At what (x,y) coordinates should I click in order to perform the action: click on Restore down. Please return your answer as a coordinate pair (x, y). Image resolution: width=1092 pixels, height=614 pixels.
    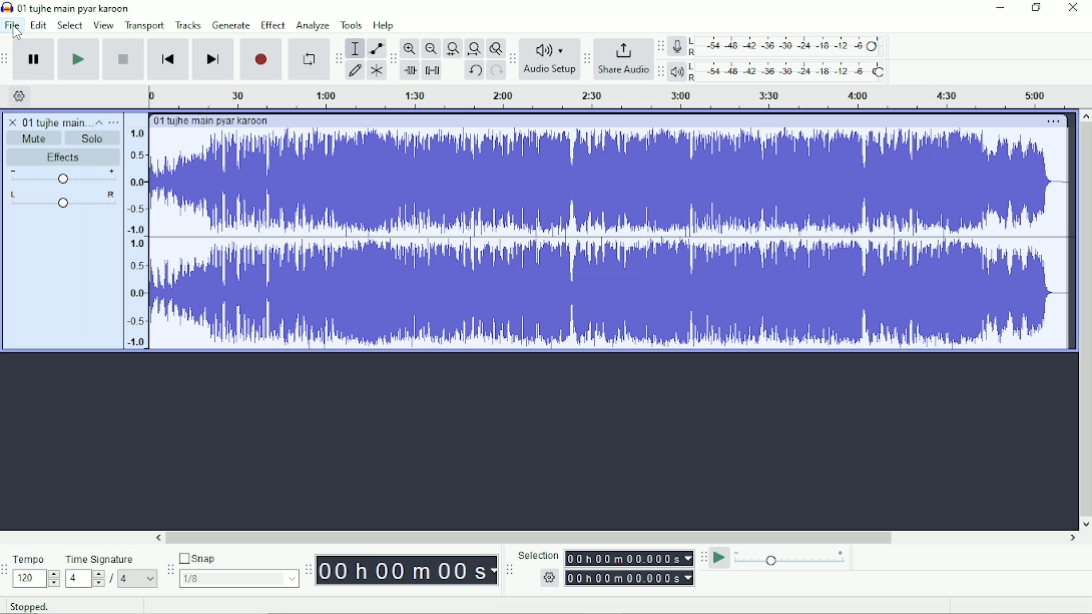
    Looking at the image, I should click on (1035, 8).